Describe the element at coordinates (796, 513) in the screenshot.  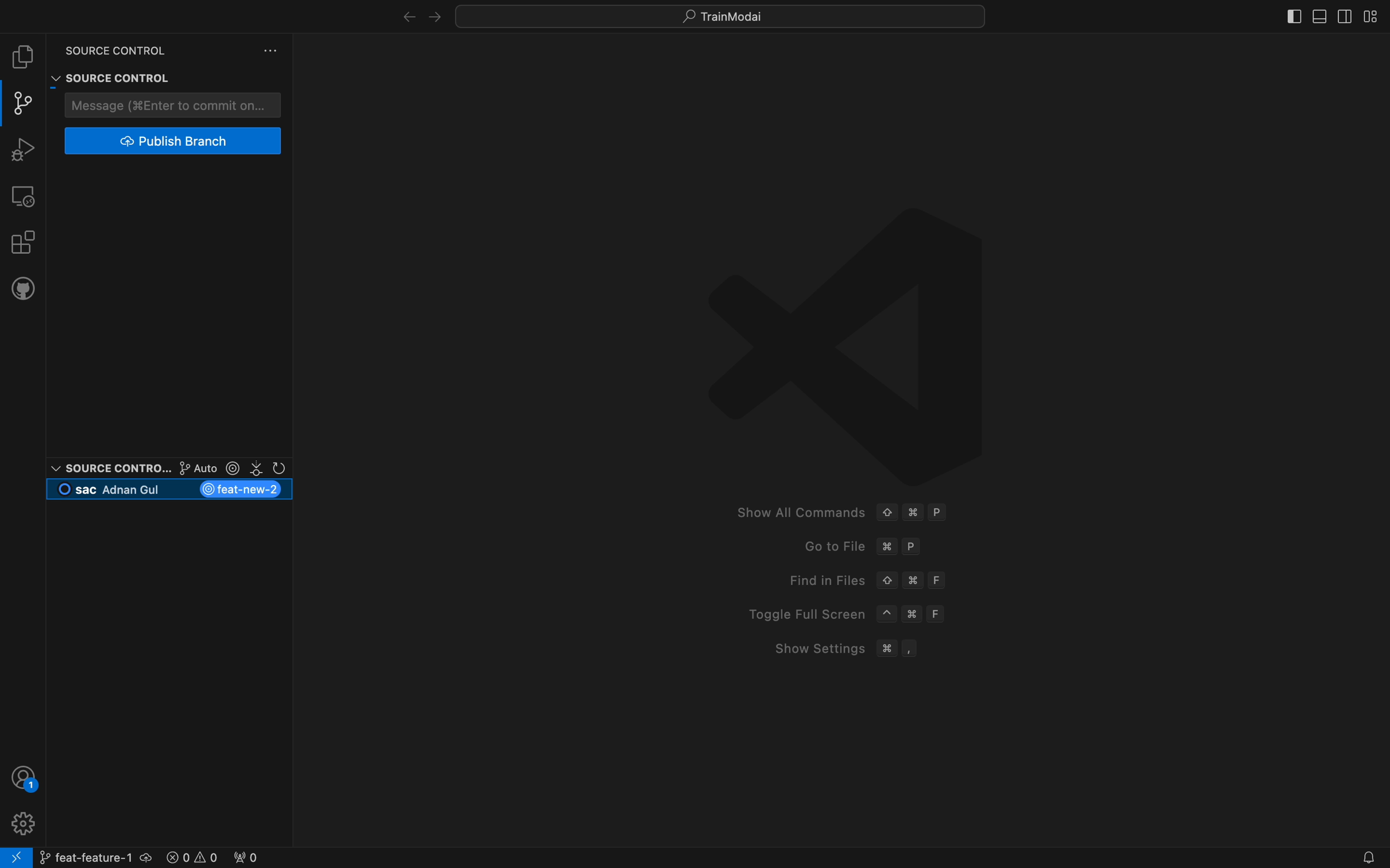
I see `Show All Commands` at that location.